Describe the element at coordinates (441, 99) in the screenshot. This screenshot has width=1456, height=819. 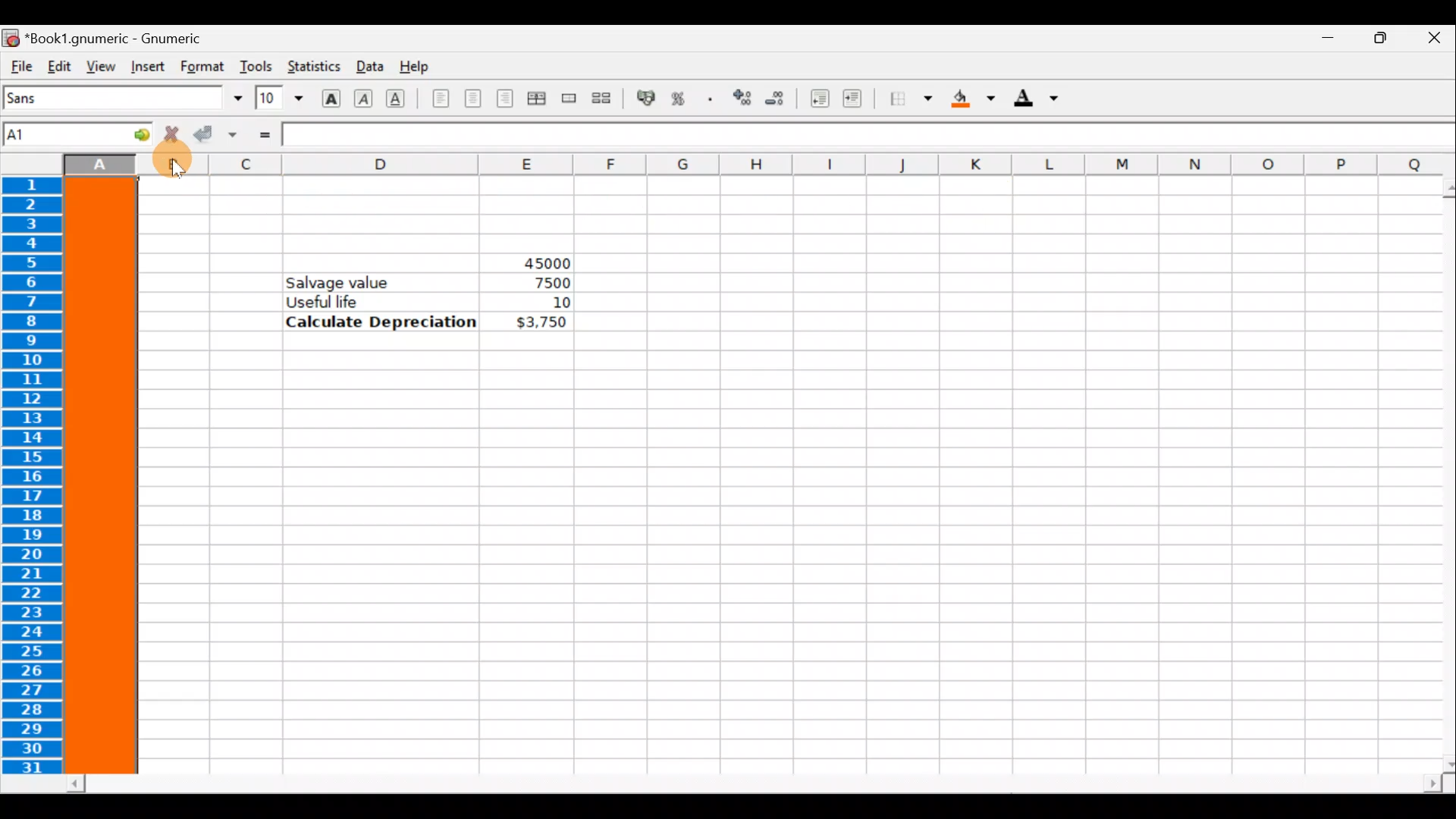
I see `Align left` at that location.